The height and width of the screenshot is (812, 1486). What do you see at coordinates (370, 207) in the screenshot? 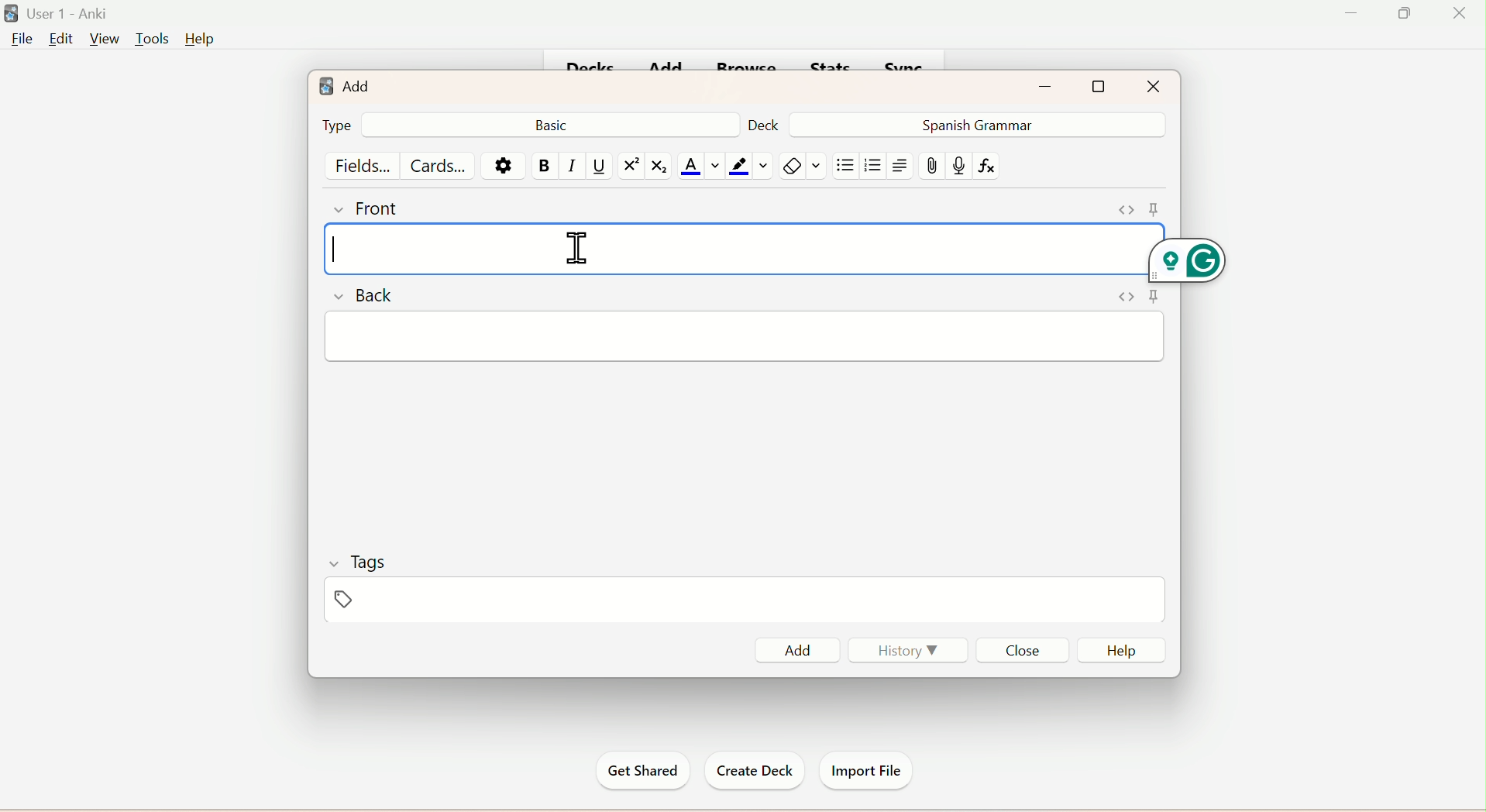
I see `Front` at bounding box center [370, 207].